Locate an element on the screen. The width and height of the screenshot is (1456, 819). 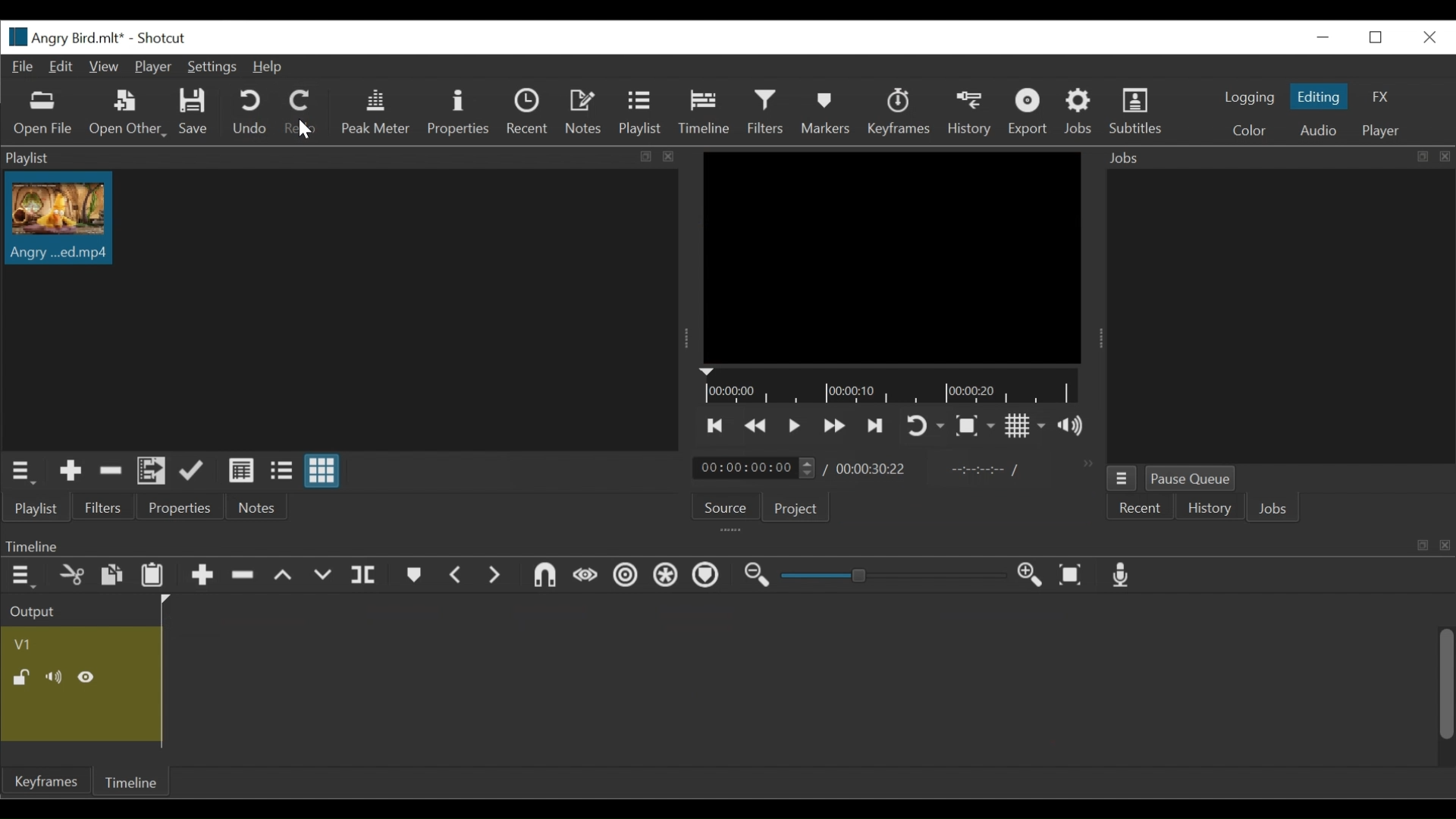
Toggle play or pause (space) is located at coordinates (794, 426).